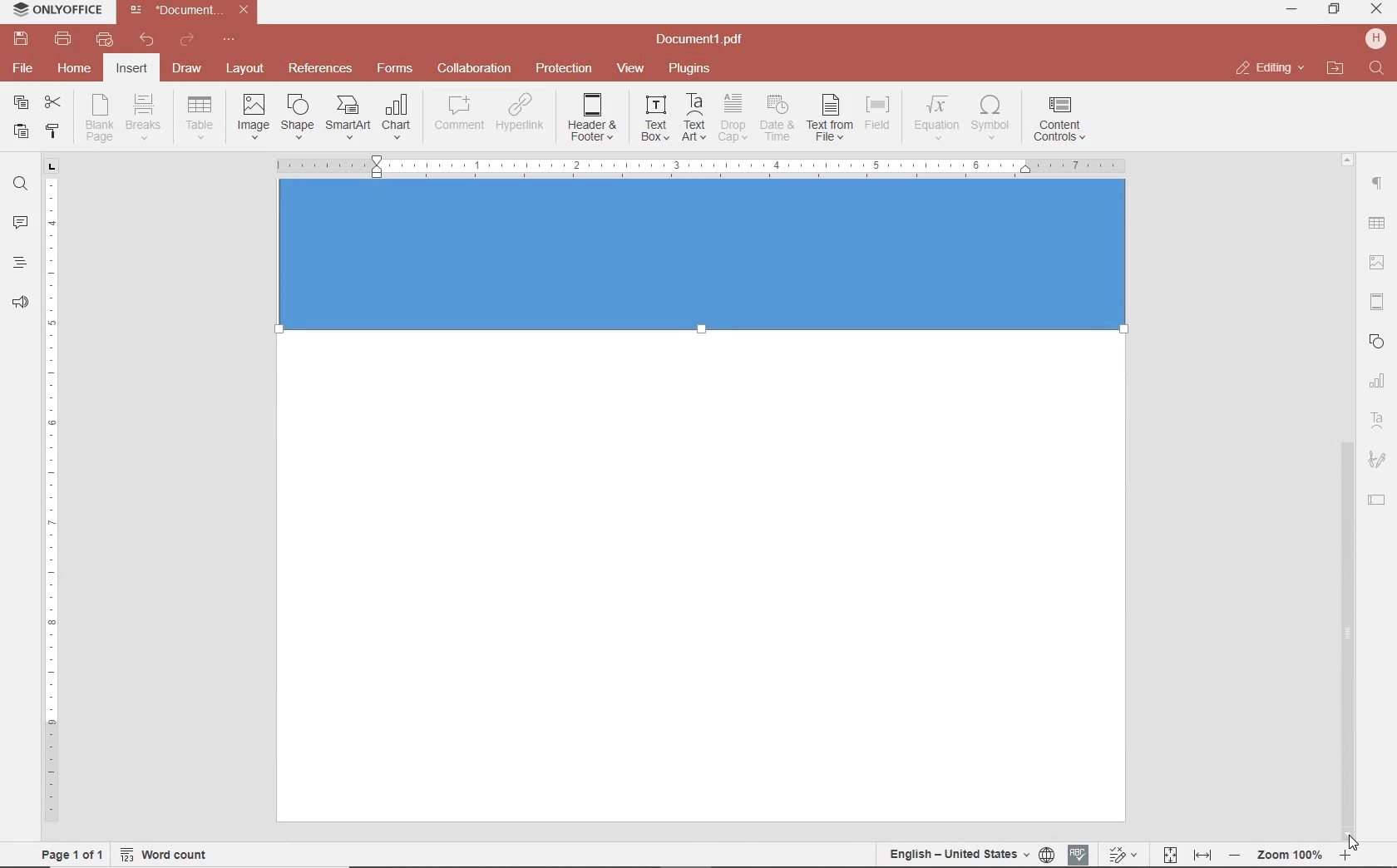 This screenshot has width=1397, height=868. Describe the element at coordinates (20, 224) in the screenshot. I see `comments` at that location.